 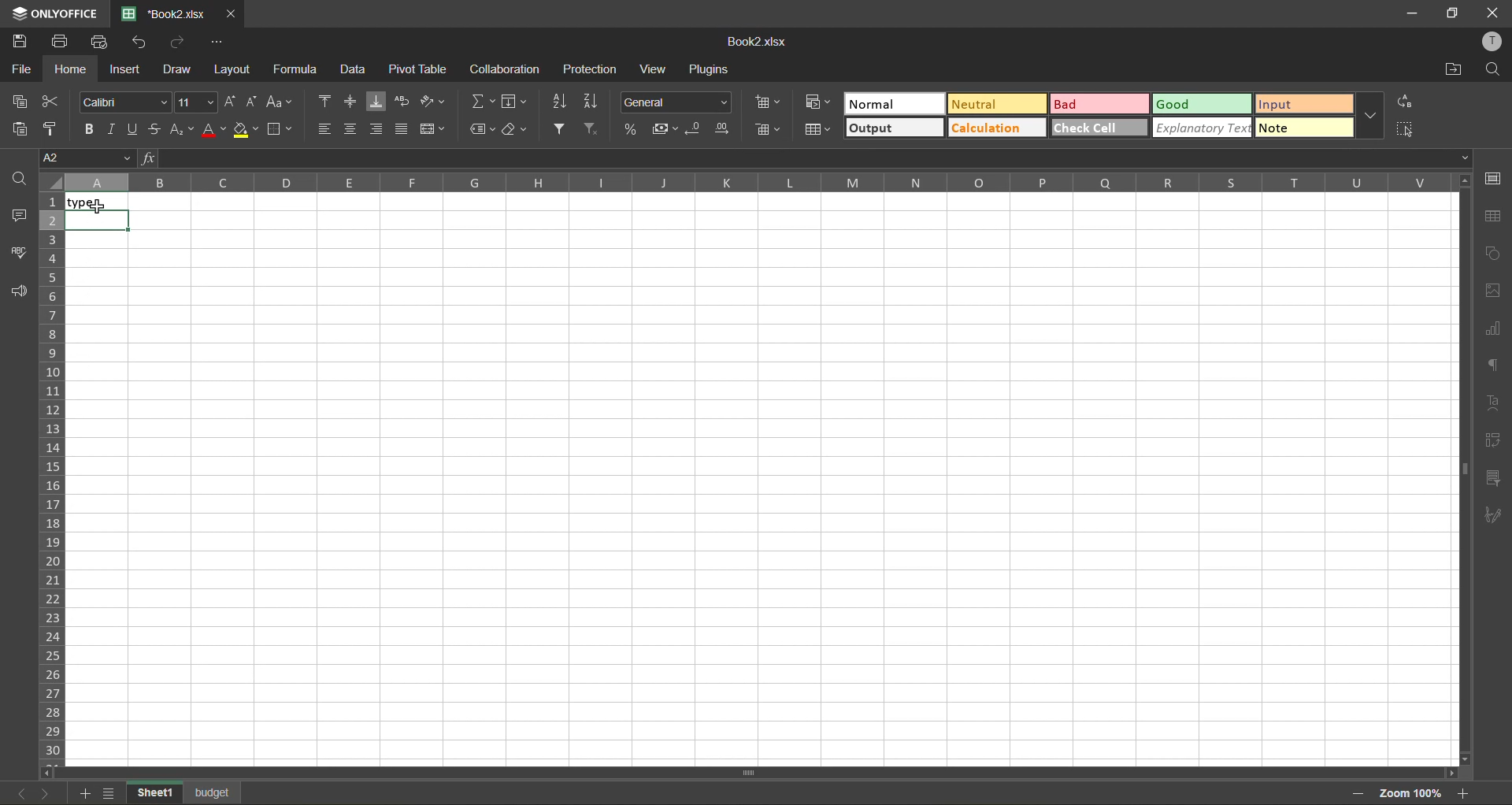 I want to click on charts, so click(x=1497, y=328).